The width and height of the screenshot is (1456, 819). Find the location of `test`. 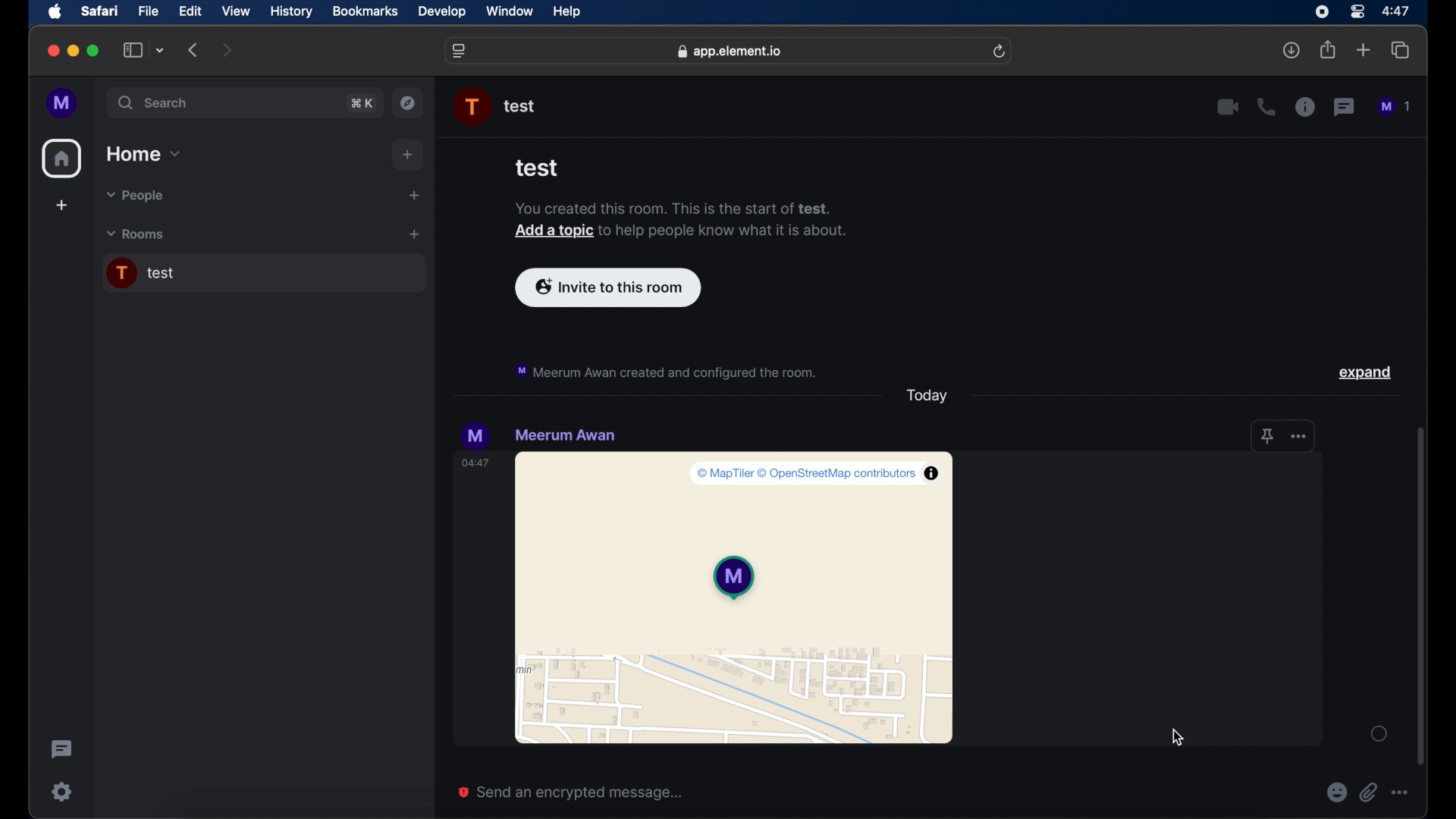

test is located at coordinates (542, 170).